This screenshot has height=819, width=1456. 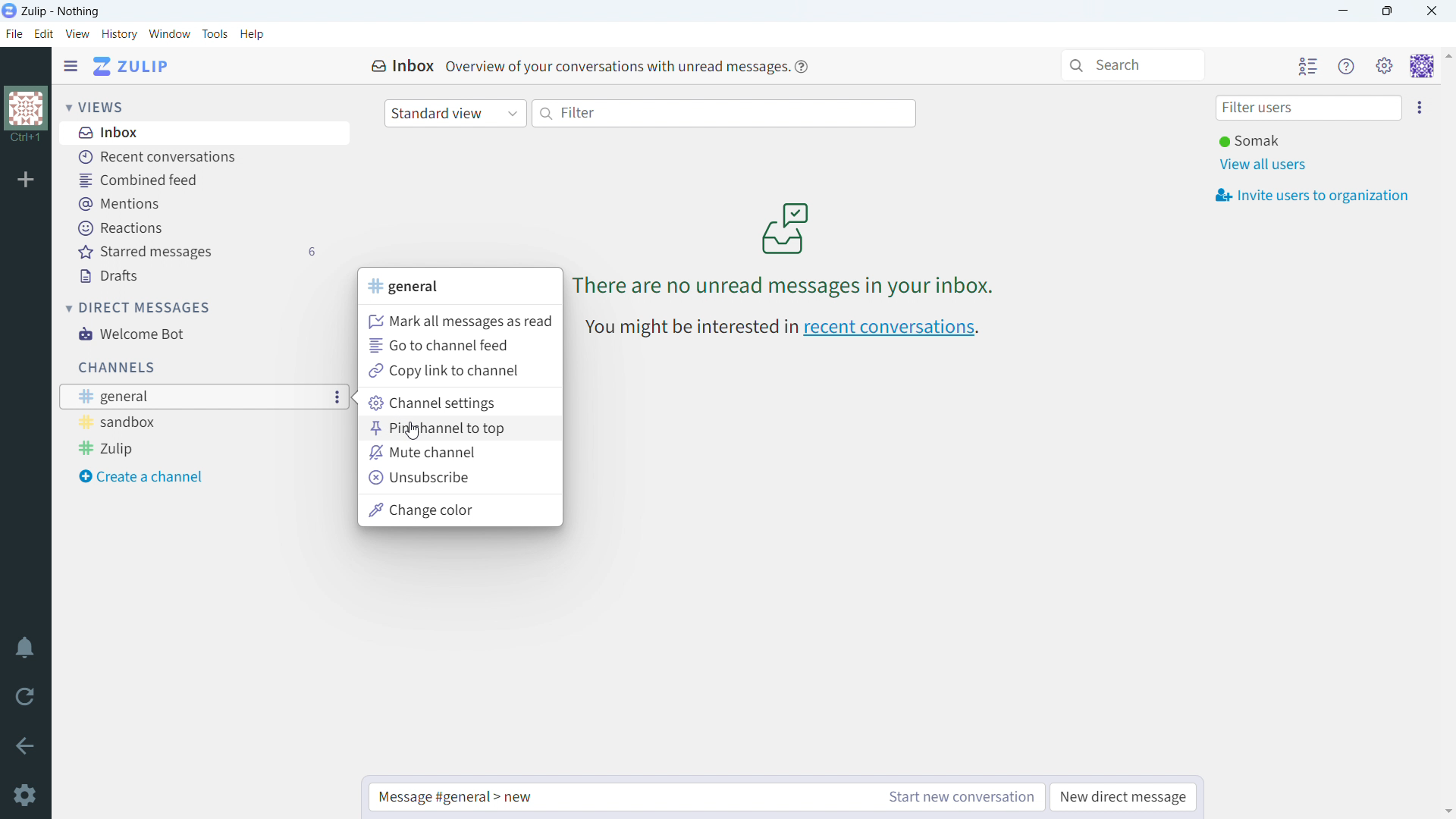 What do you see at coordinates (196, 205) in the screenshot?
I see `mentions` at bounding box center [196, 205].